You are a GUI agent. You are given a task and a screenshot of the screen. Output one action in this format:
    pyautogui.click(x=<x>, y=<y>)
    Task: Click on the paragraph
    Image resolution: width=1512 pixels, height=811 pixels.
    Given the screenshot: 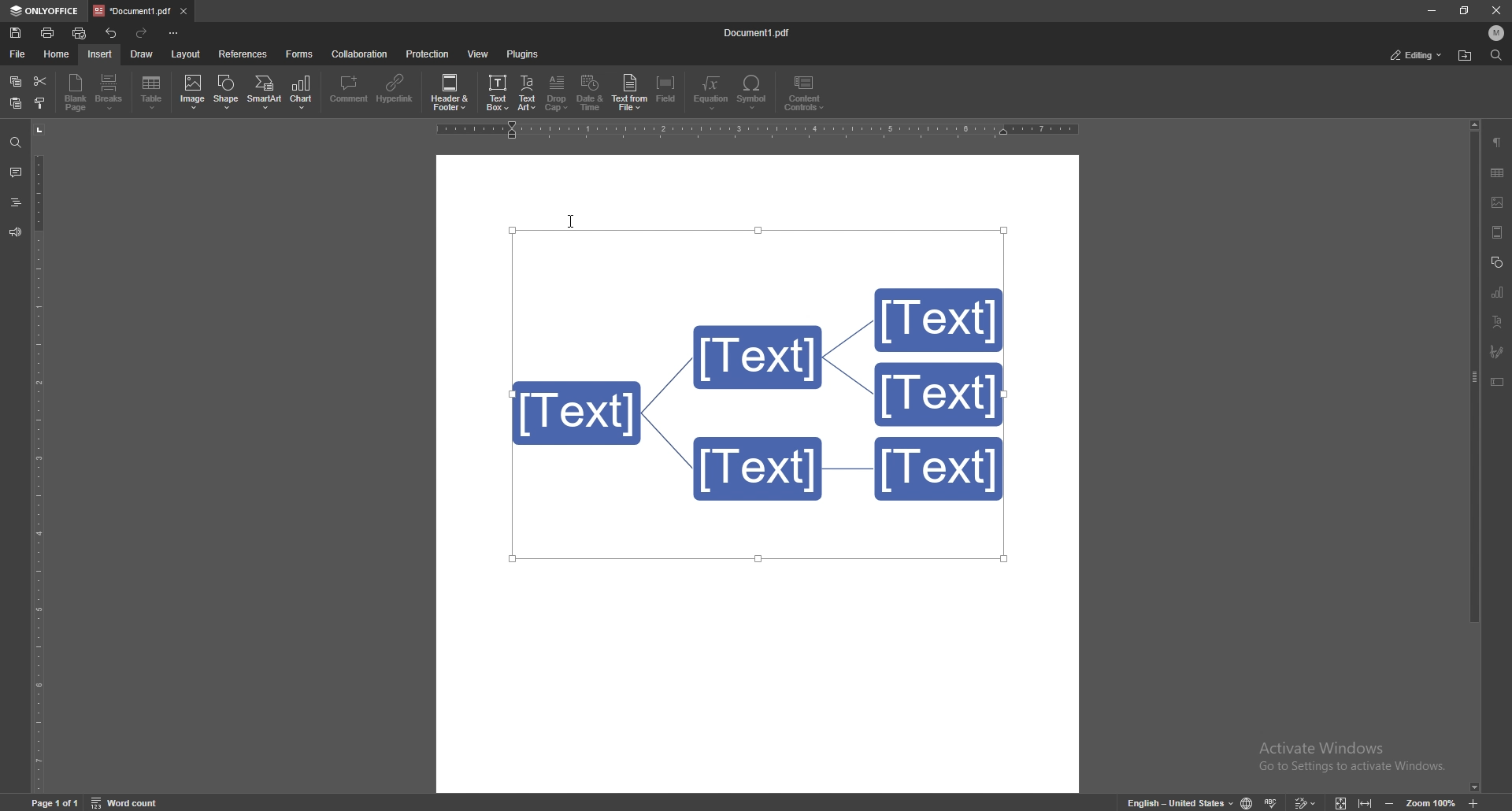 What is the action you would take?
    pyautogui.click(x=1498, y=143)
    